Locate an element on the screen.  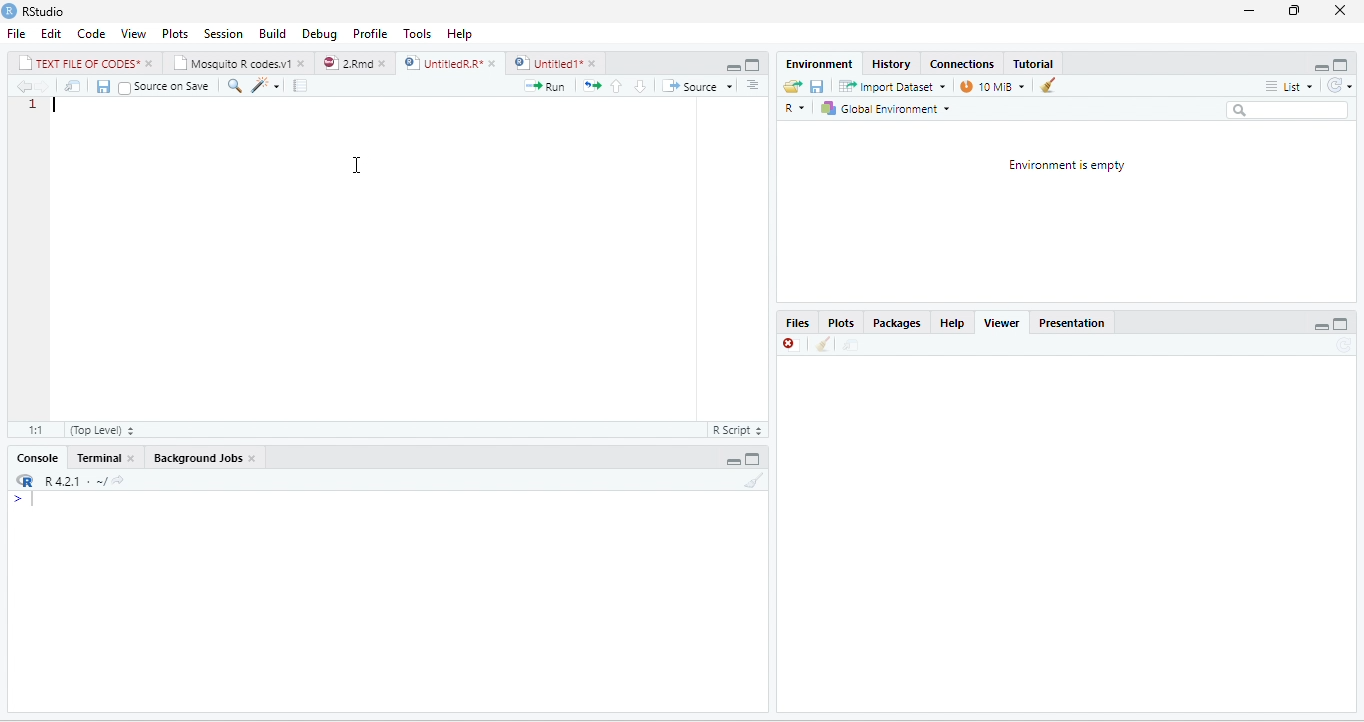
help is located at coordinates (458, 32).